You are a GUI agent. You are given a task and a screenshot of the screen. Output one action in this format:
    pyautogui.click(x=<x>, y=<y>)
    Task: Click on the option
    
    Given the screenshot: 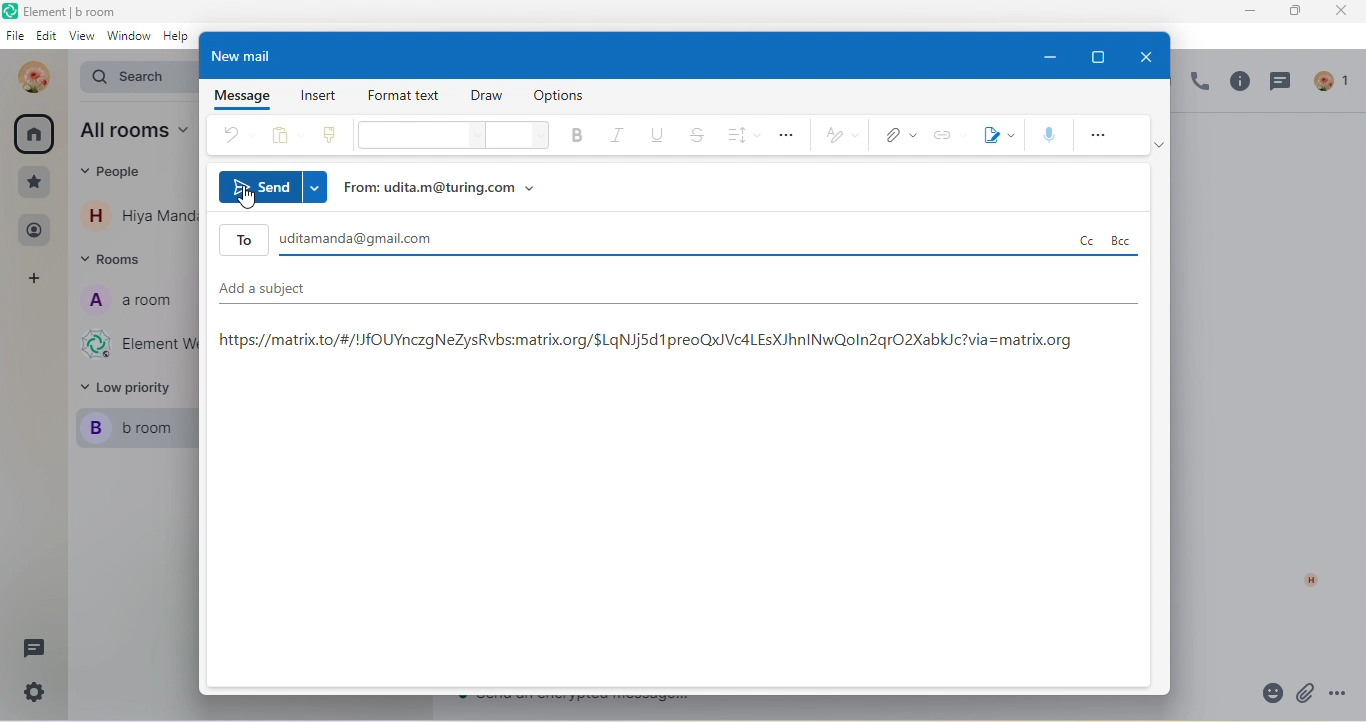 What is the action you would take?
    pyautogui.click(x=564, y=96)
    